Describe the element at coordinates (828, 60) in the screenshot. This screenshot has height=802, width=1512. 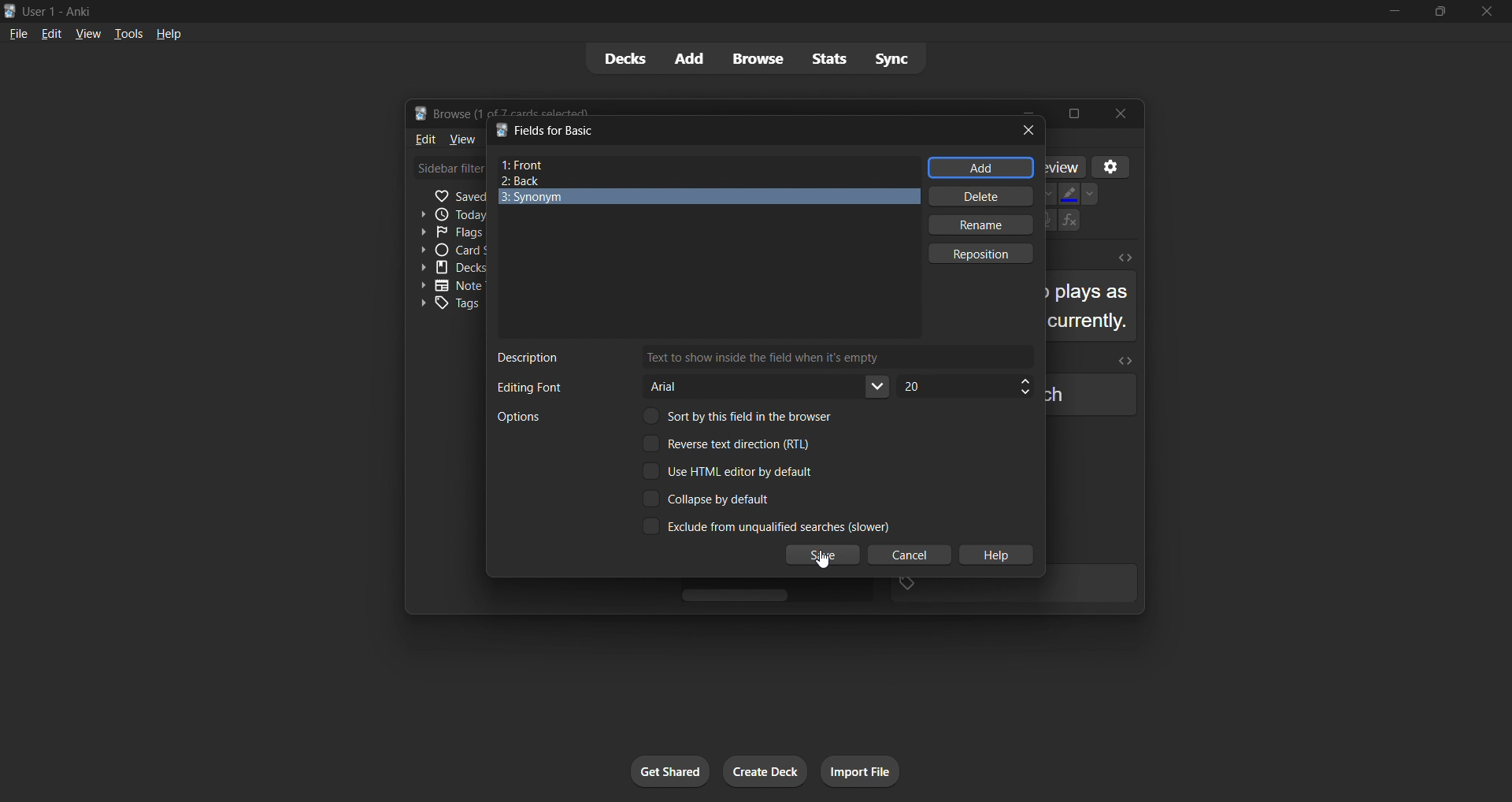
I see `stats` at that location.